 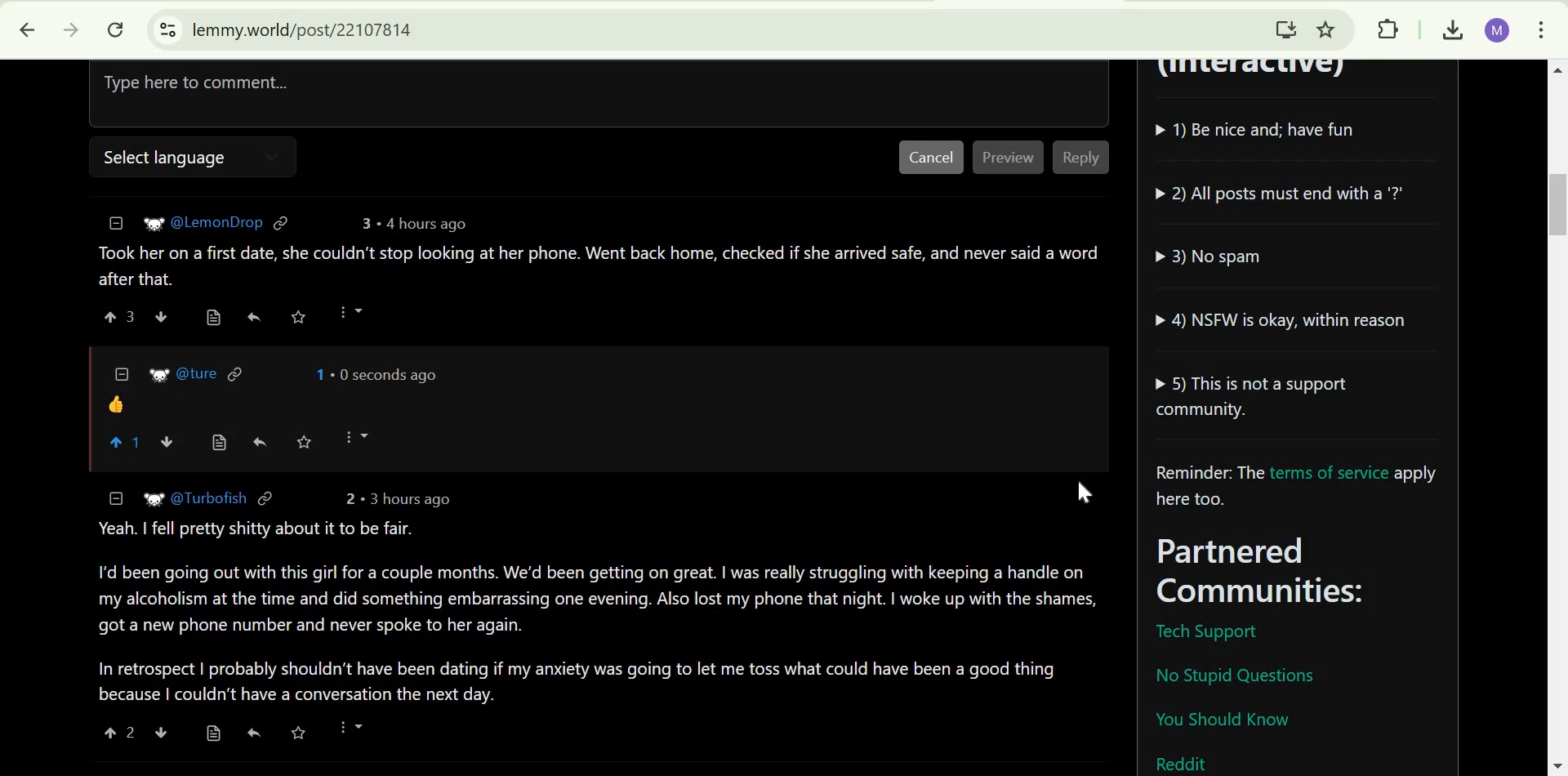 I want to click on 3 points, so click(x=363, y=223).